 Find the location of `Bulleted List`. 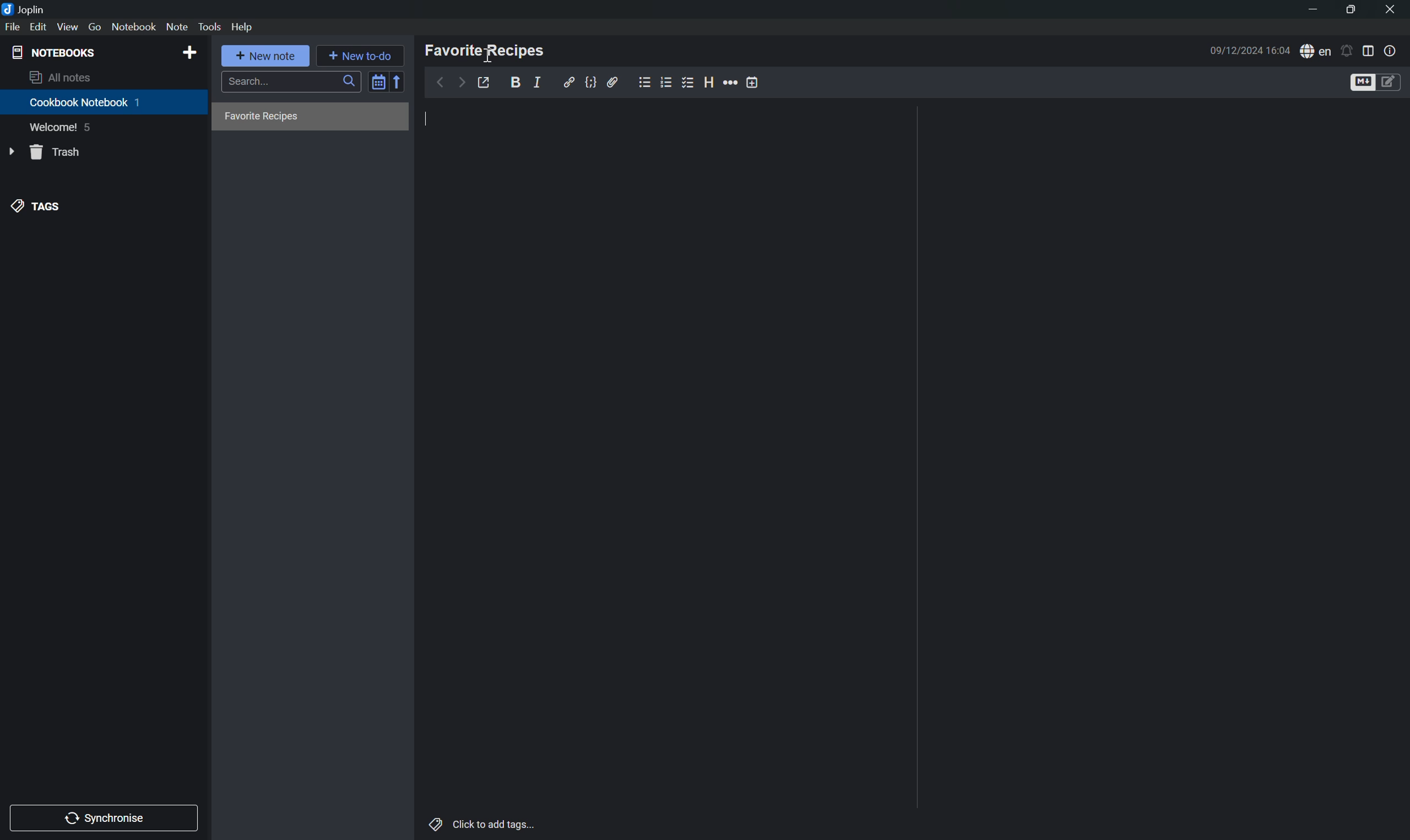

Bulleted List is located at coordinates (643, 83).